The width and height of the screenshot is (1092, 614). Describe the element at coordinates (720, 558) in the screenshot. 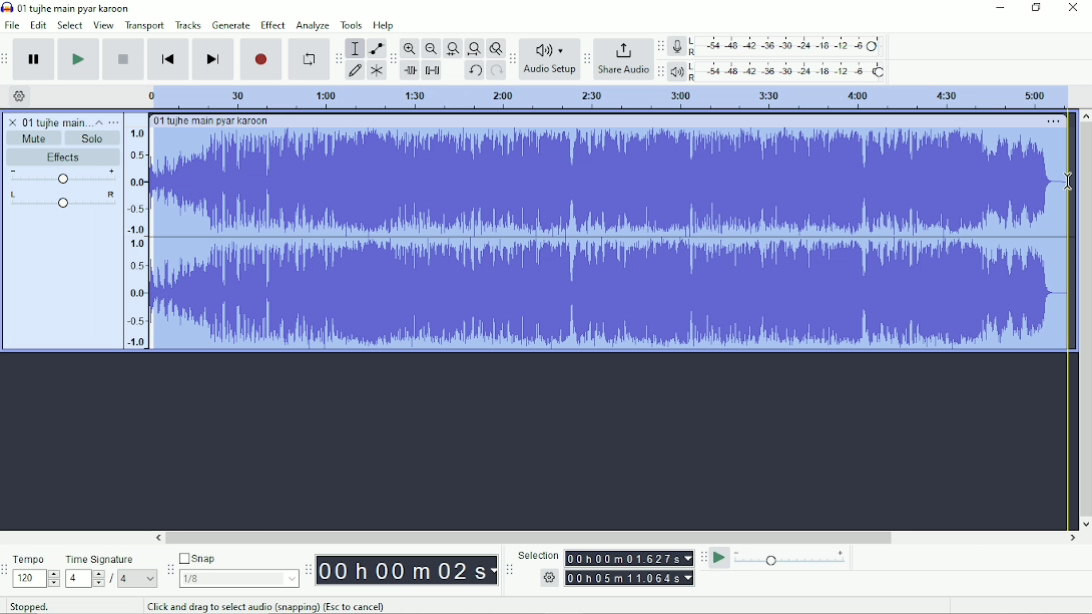

I see `Play-at-speed` at that location.